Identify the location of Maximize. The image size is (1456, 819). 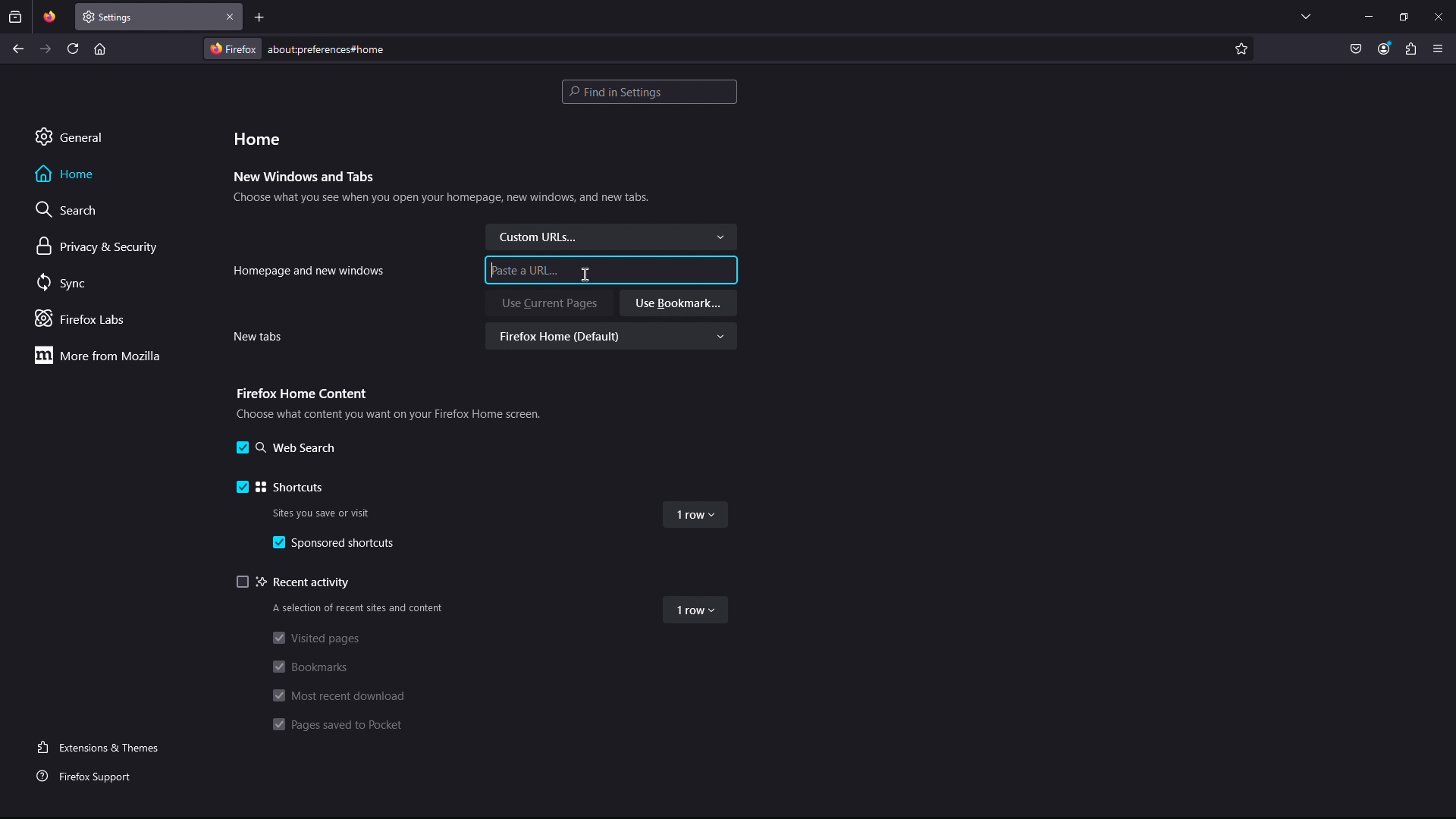
(1404, 16).